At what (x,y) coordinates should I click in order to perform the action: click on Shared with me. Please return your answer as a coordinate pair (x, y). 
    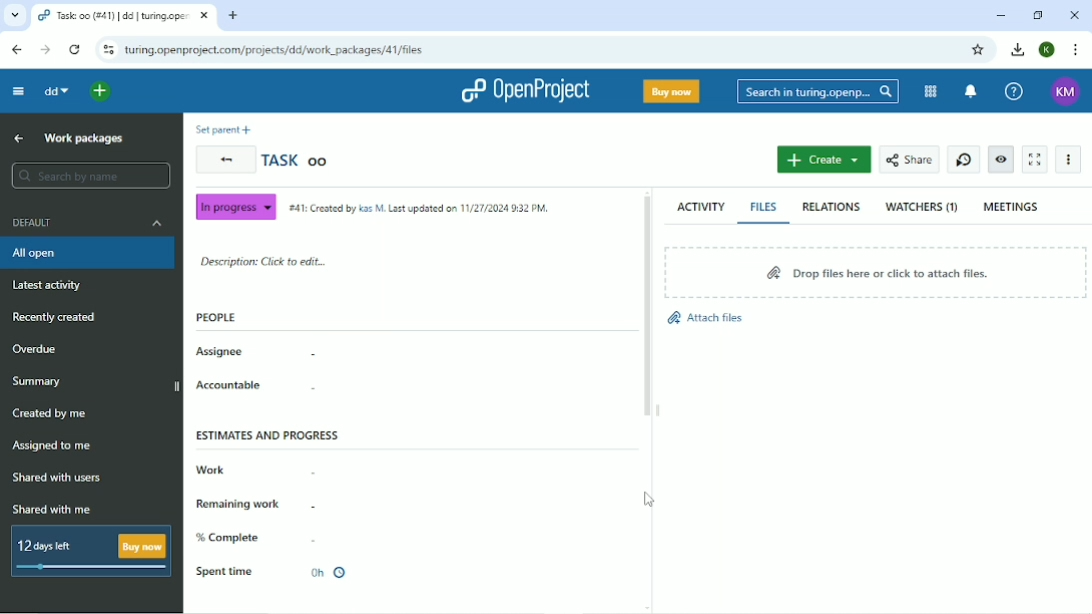
    Looking at the image, I should click on (53, 509).